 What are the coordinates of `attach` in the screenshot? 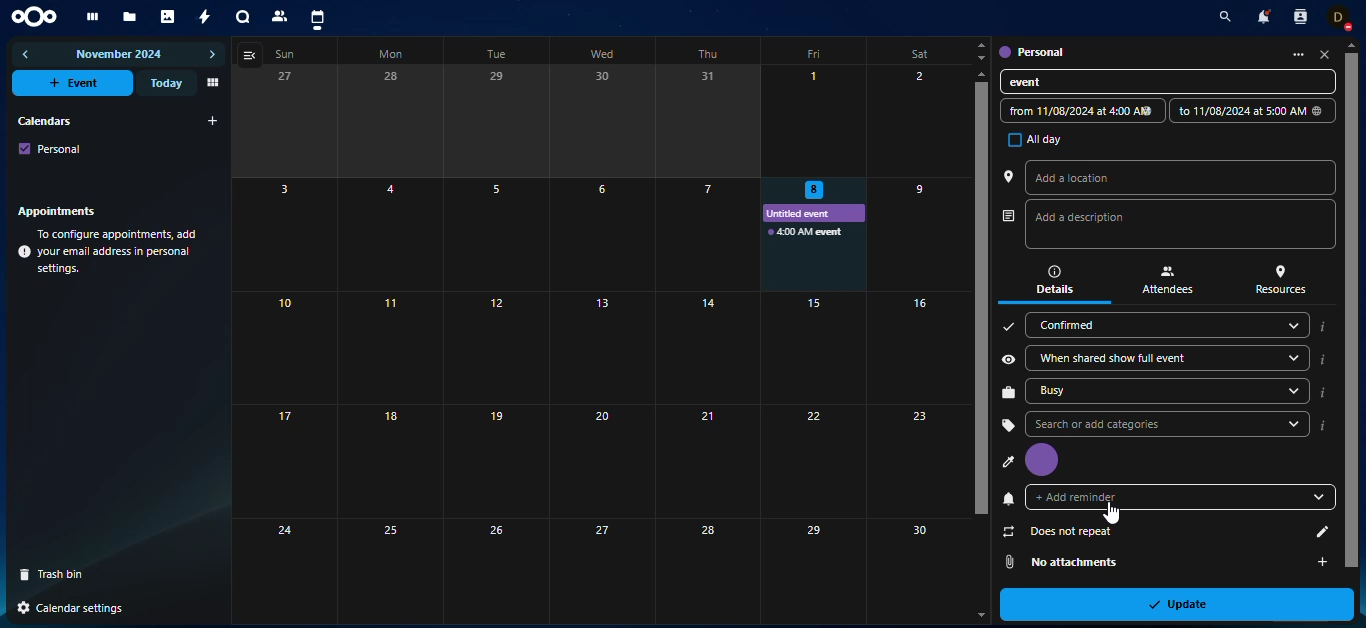 It's located at (1009, 561).